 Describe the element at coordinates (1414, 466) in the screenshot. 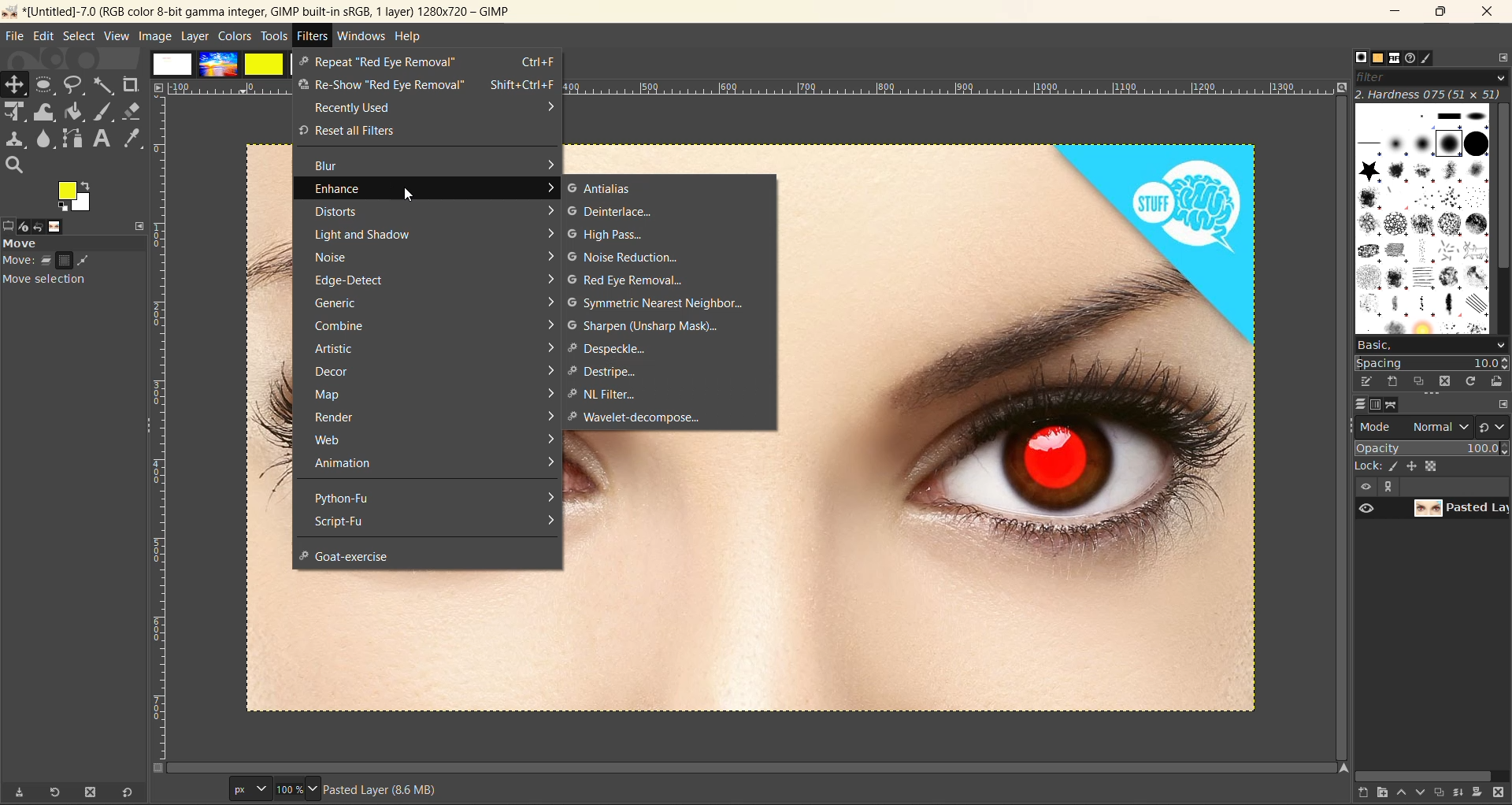

I see `position` at that location.